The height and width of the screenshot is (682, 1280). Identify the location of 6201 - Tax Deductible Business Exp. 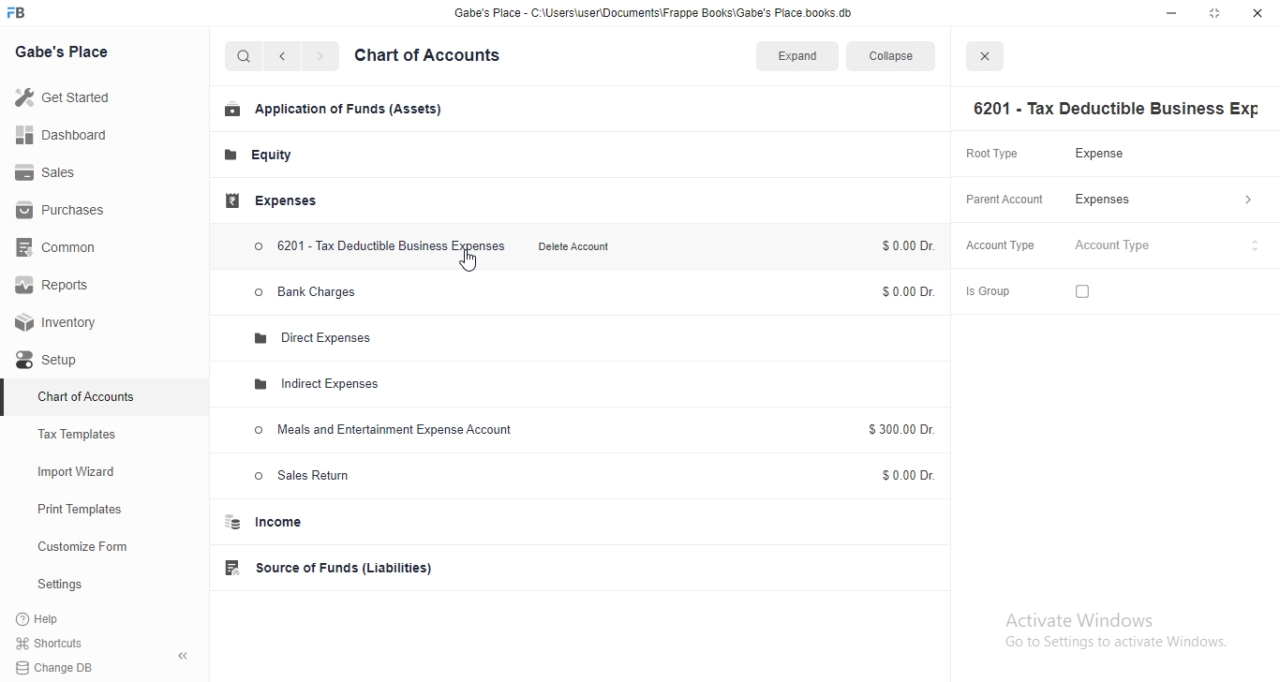
(1100, 109).